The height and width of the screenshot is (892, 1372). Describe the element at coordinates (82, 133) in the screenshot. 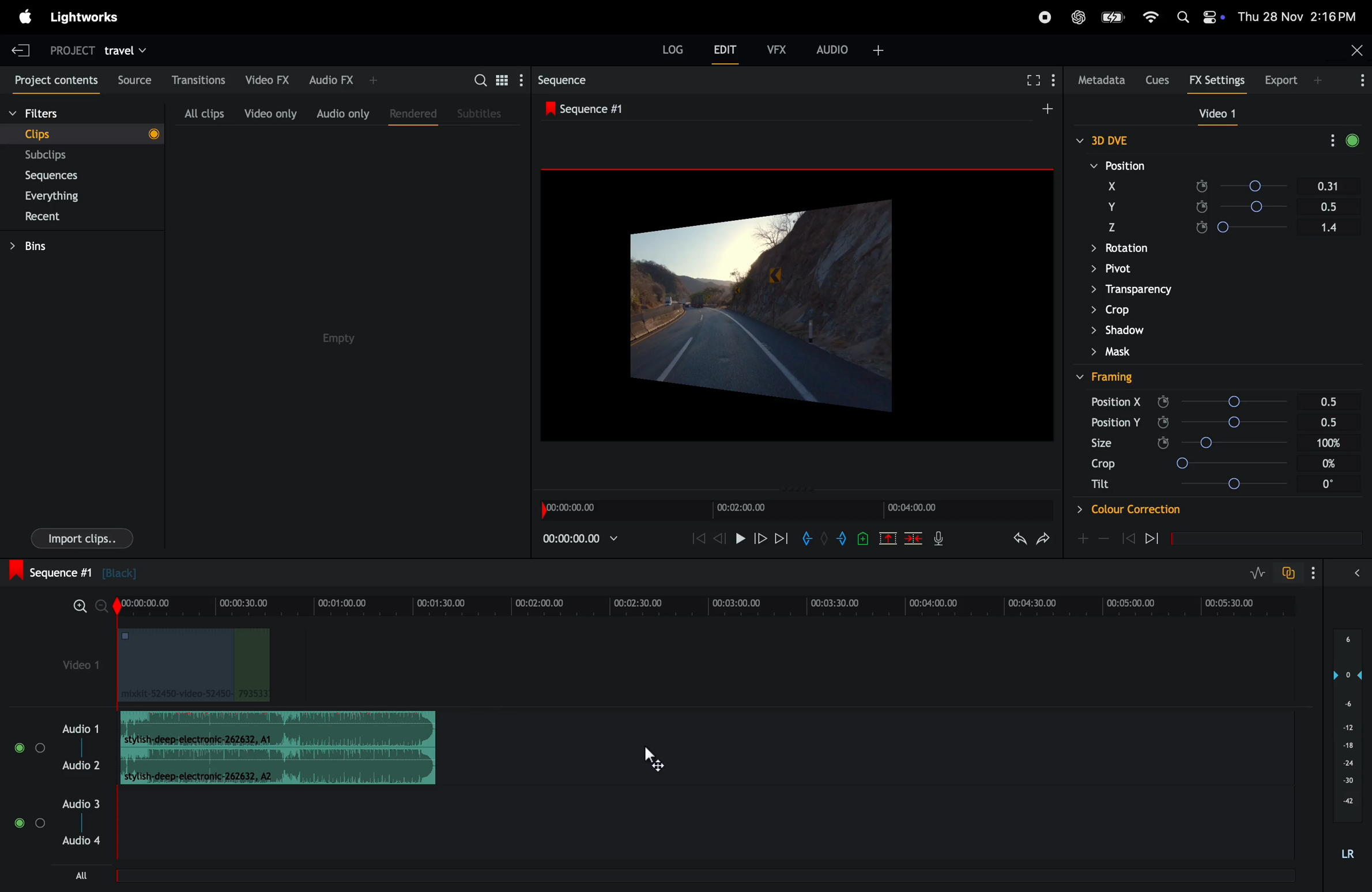

I see `clips` at that location.